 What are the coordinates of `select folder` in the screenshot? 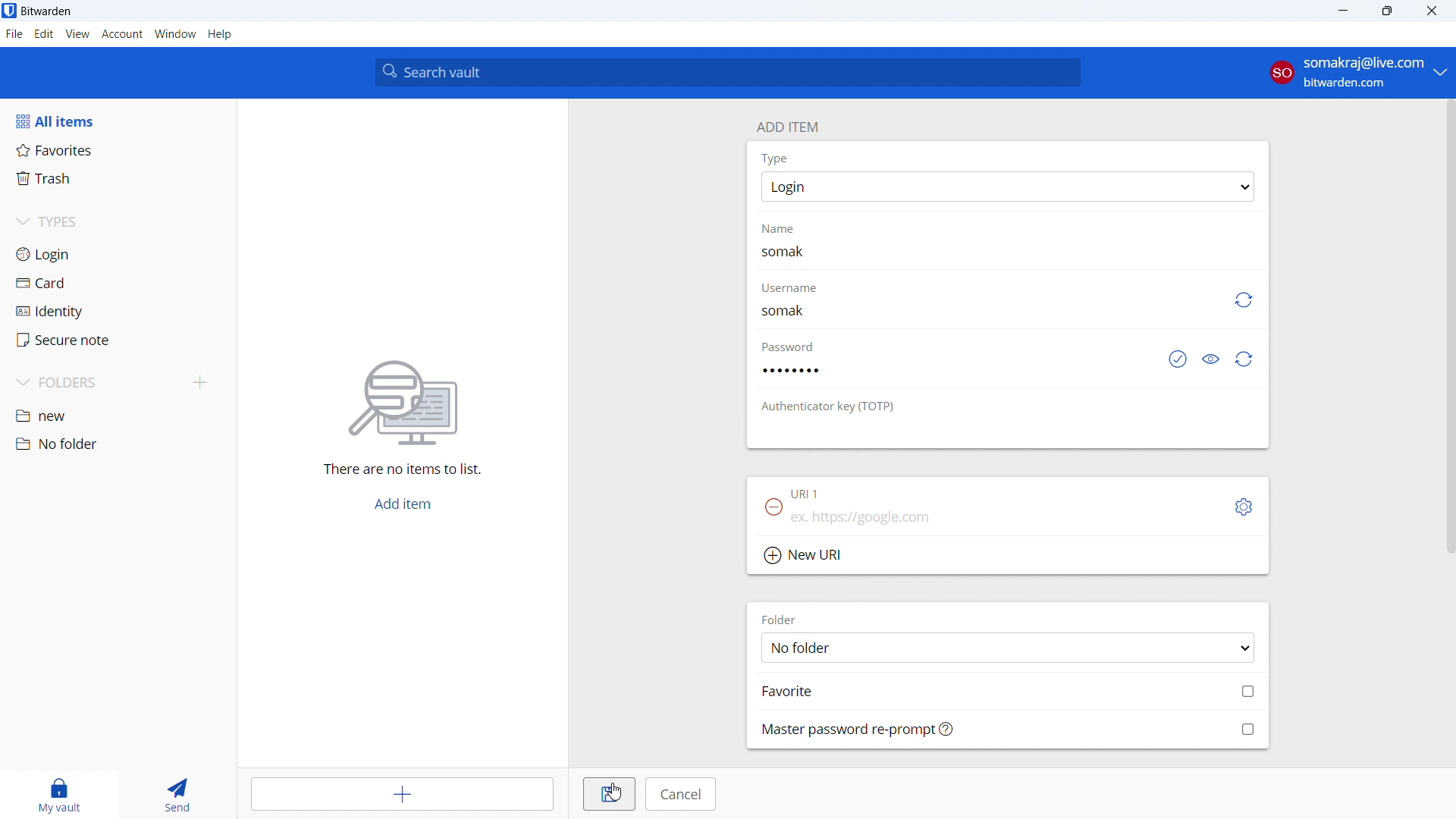 It's located at (1007, 647).